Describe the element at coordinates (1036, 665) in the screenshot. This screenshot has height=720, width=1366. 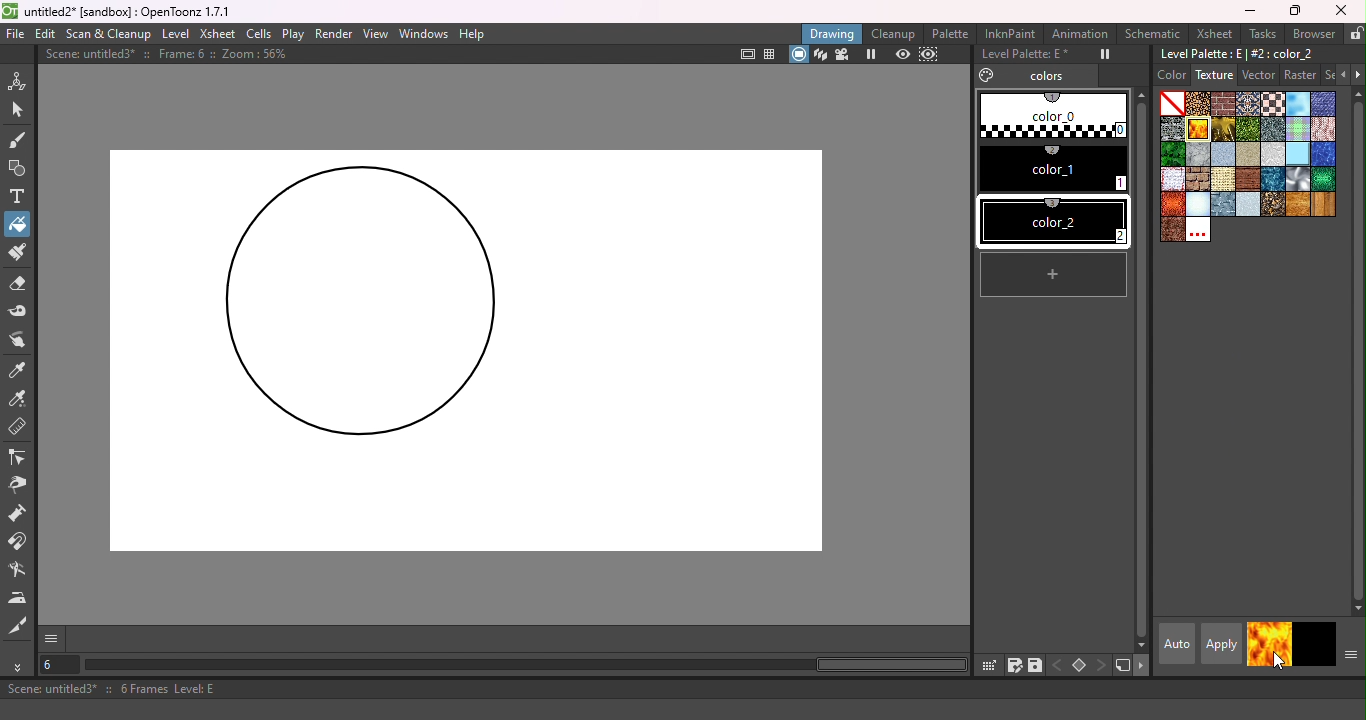
I see `save palette` at that location.